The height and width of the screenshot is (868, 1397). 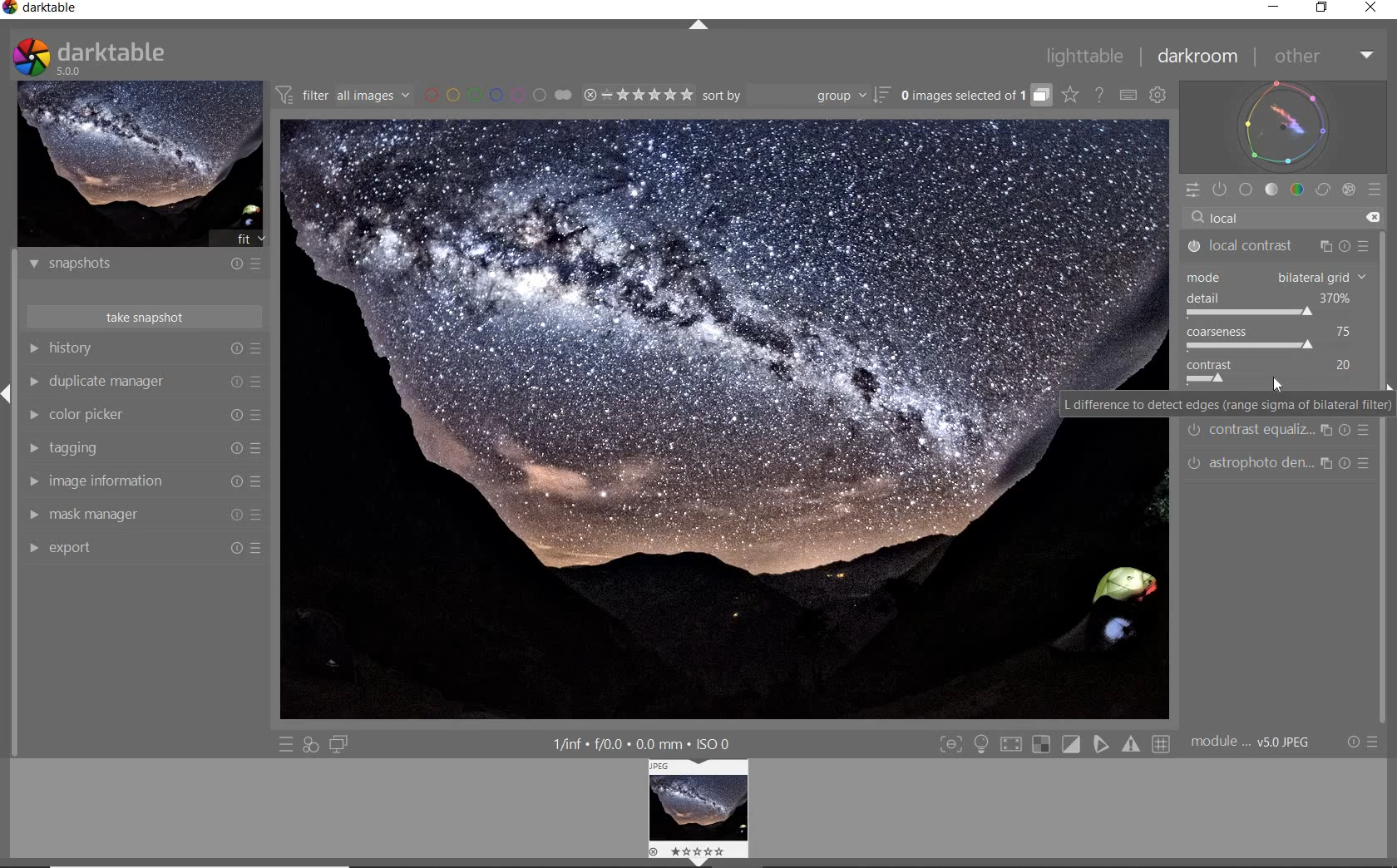 I want to click on WAVEFORM, so click(x=1284, y=126).